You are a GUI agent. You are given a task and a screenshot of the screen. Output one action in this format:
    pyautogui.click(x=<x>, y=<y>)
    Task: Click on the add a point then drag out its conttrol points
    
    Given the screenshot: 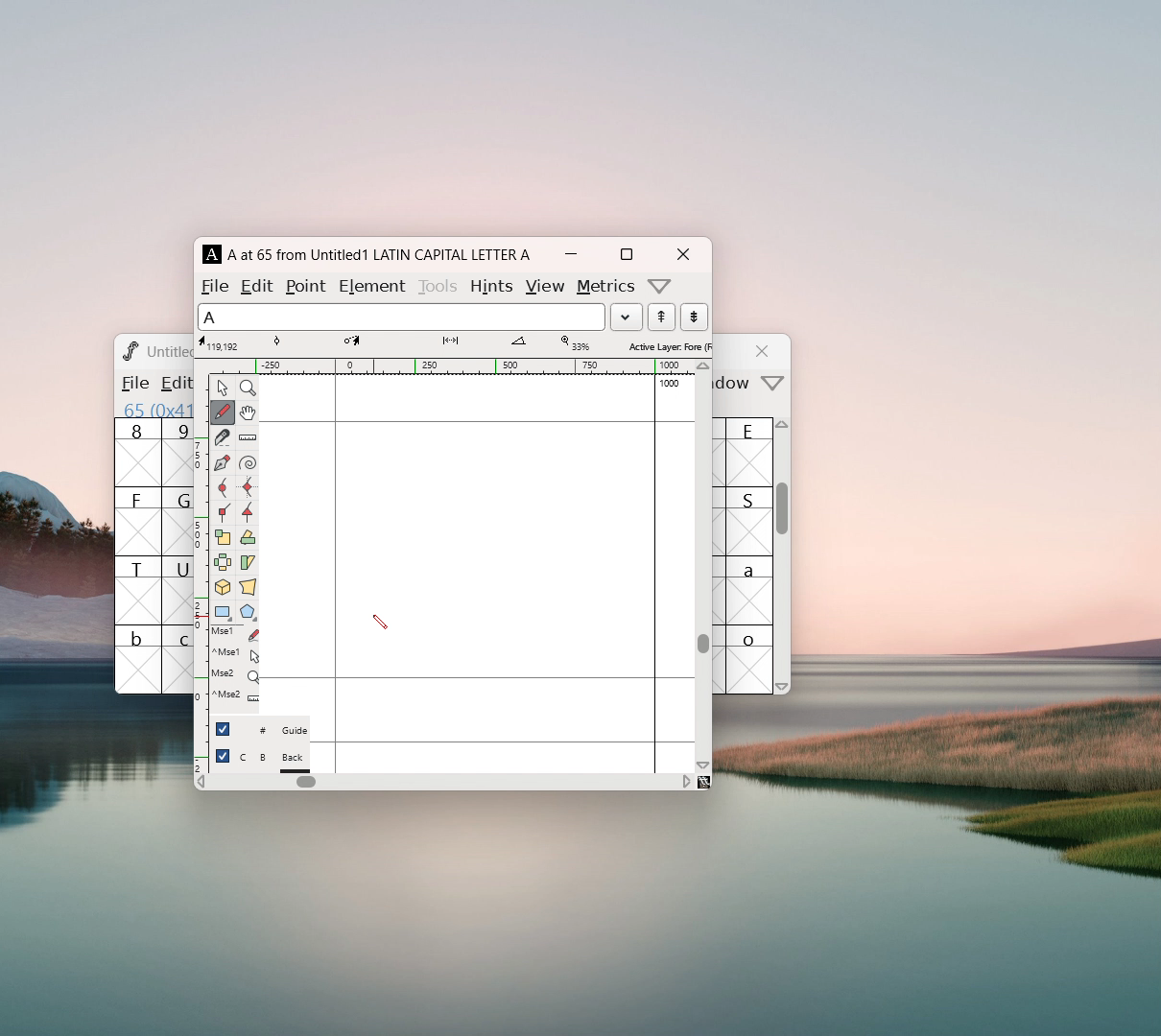 What is the action you would take?
    pyautogui.click(x=222, y=464)
    